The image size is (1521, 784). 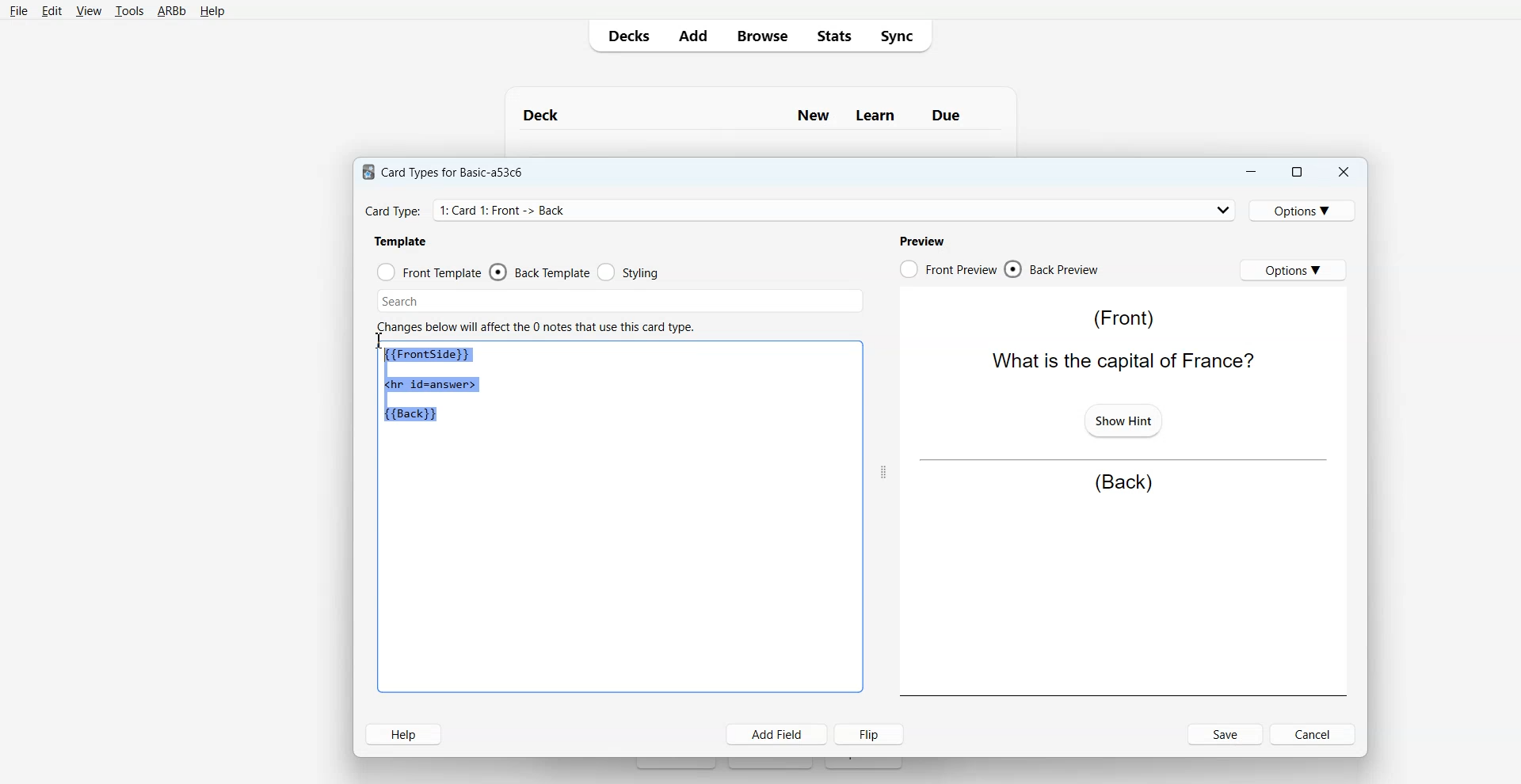 What do you see at coordinates (1052, 269) in the screenshot?
I see `Back Preview` at bounding box center [1052, 269].